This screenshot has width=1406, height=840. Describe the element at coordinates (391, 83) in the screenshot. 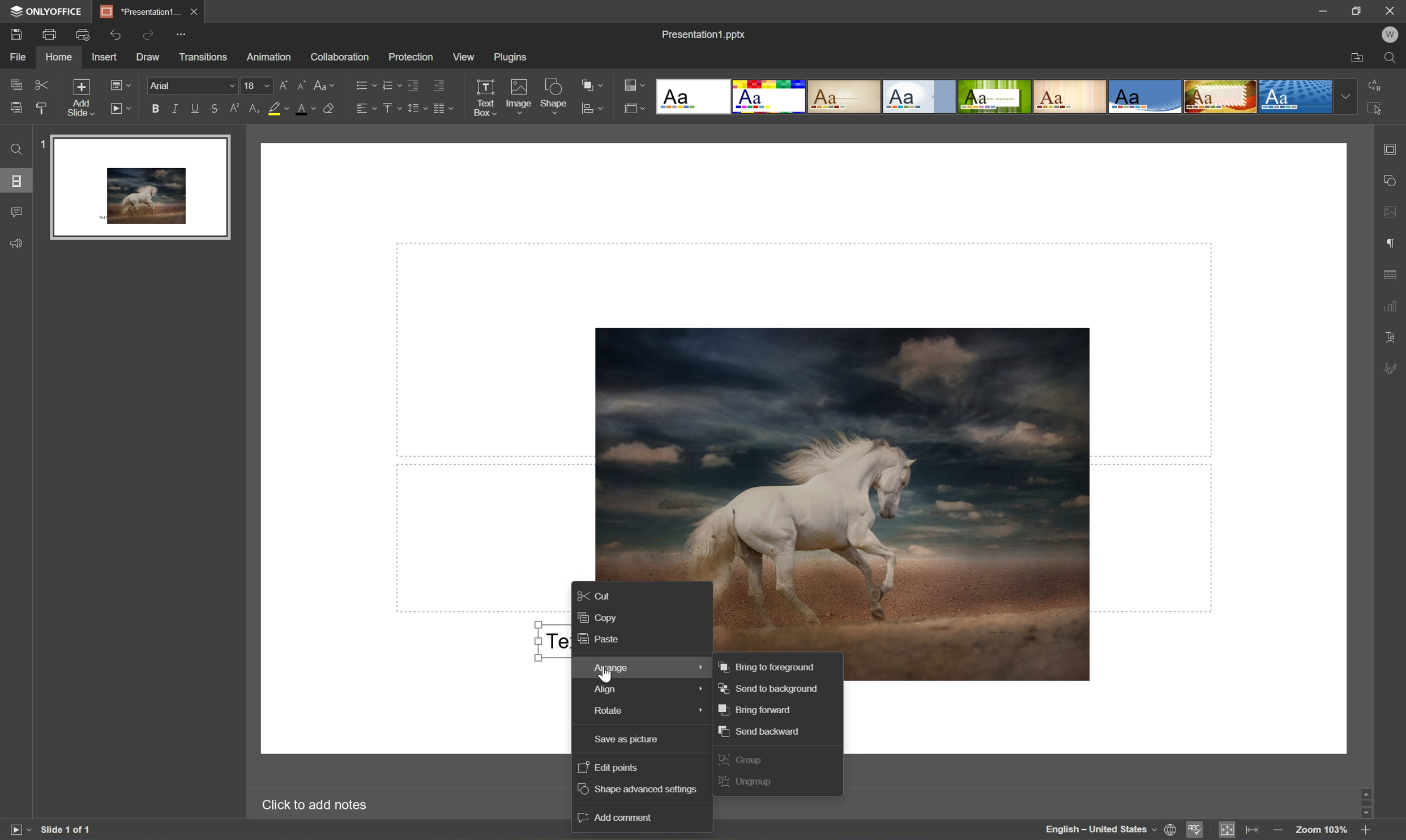

I see `Numbering` at that location.